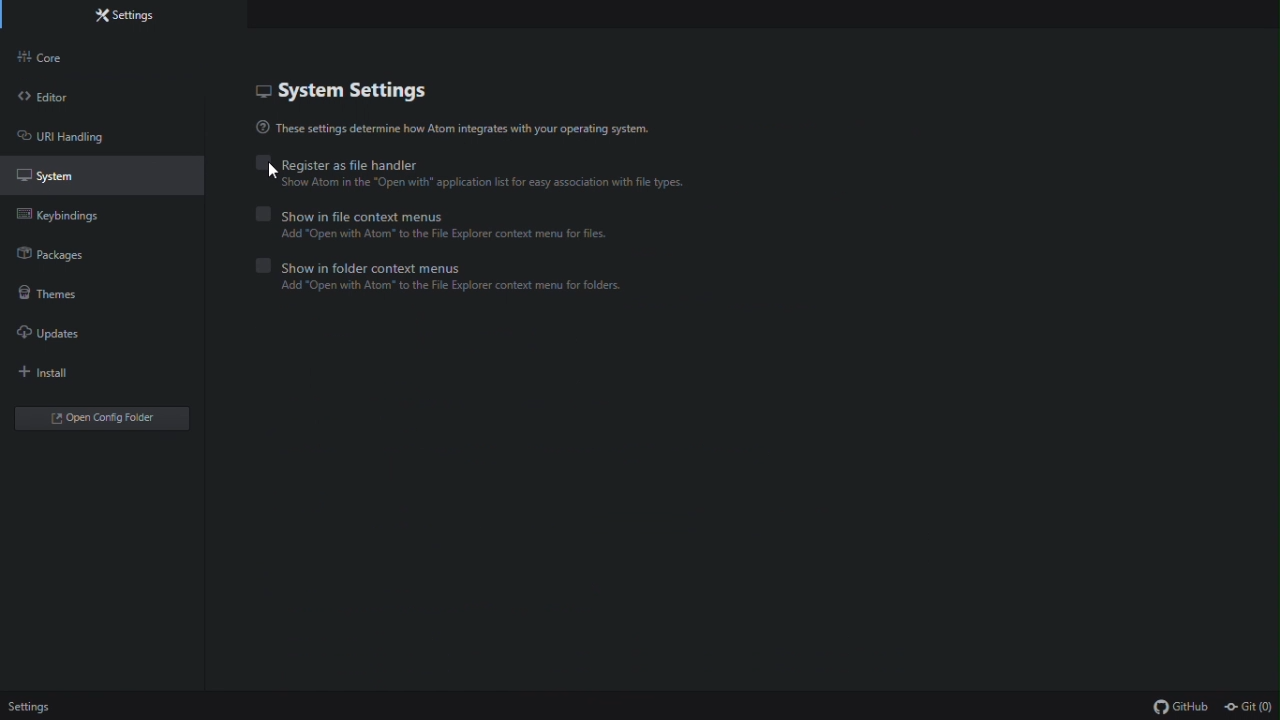  Describe the element at coordinates (67, 219) in the screenshot. I see `Key binding` at that location.